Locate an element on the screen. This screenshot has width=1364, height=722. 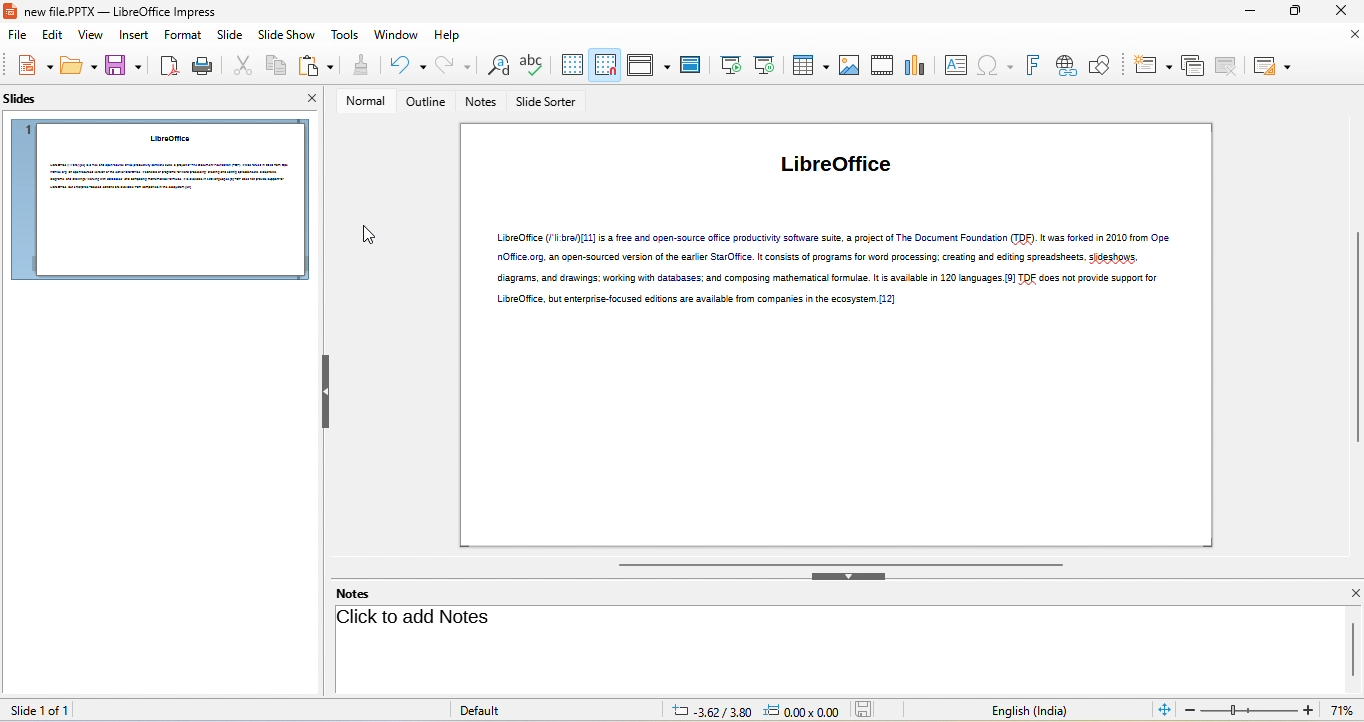
display to grid is located at coordinates (572, 68).